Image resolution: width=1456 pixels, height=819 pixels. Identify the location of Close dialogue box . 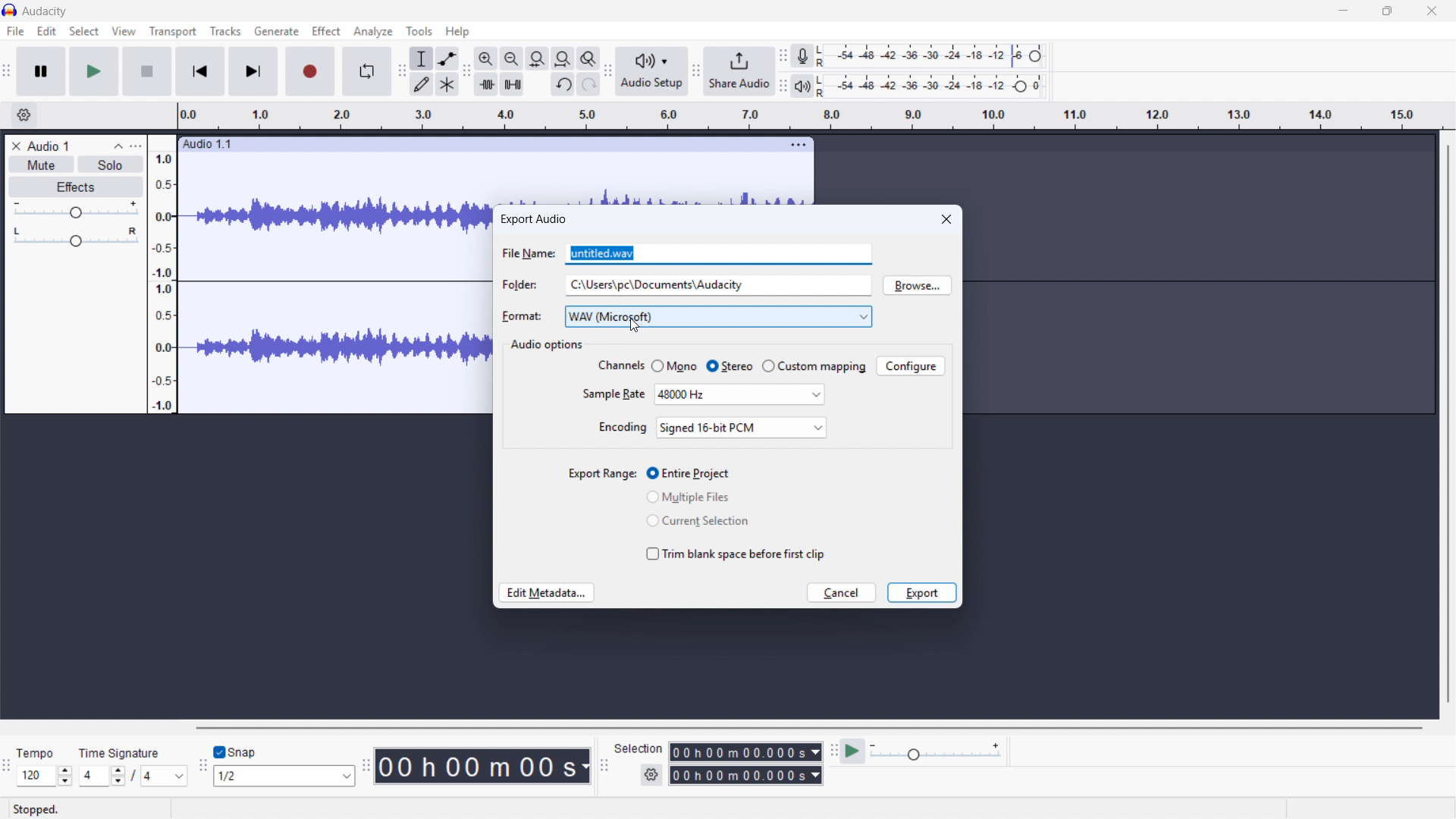
(947, 218).